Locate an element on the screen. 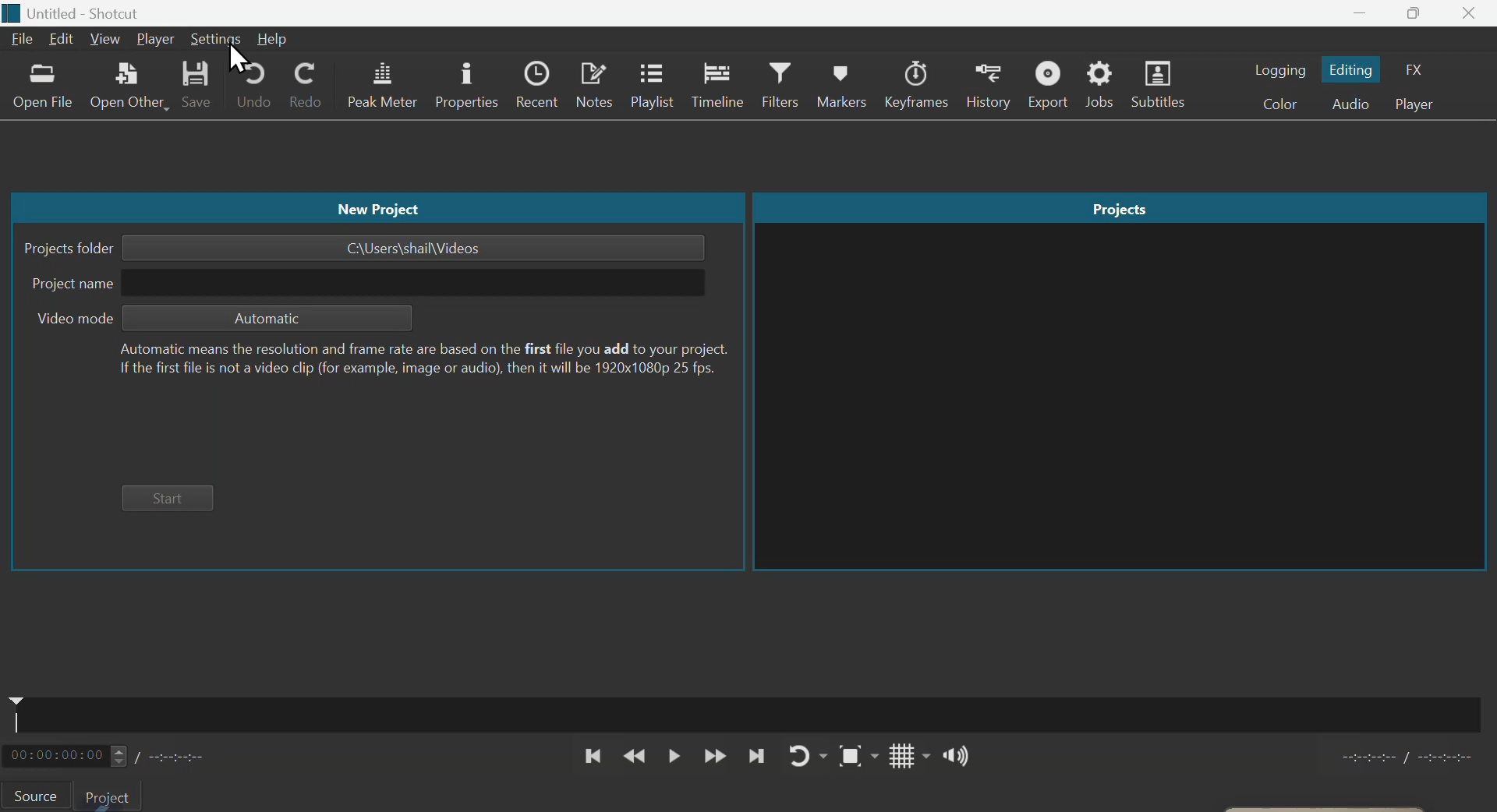 Image resolution: width=1497 pixels, height=812 pixels. Source is located at coordinates (38, 795).